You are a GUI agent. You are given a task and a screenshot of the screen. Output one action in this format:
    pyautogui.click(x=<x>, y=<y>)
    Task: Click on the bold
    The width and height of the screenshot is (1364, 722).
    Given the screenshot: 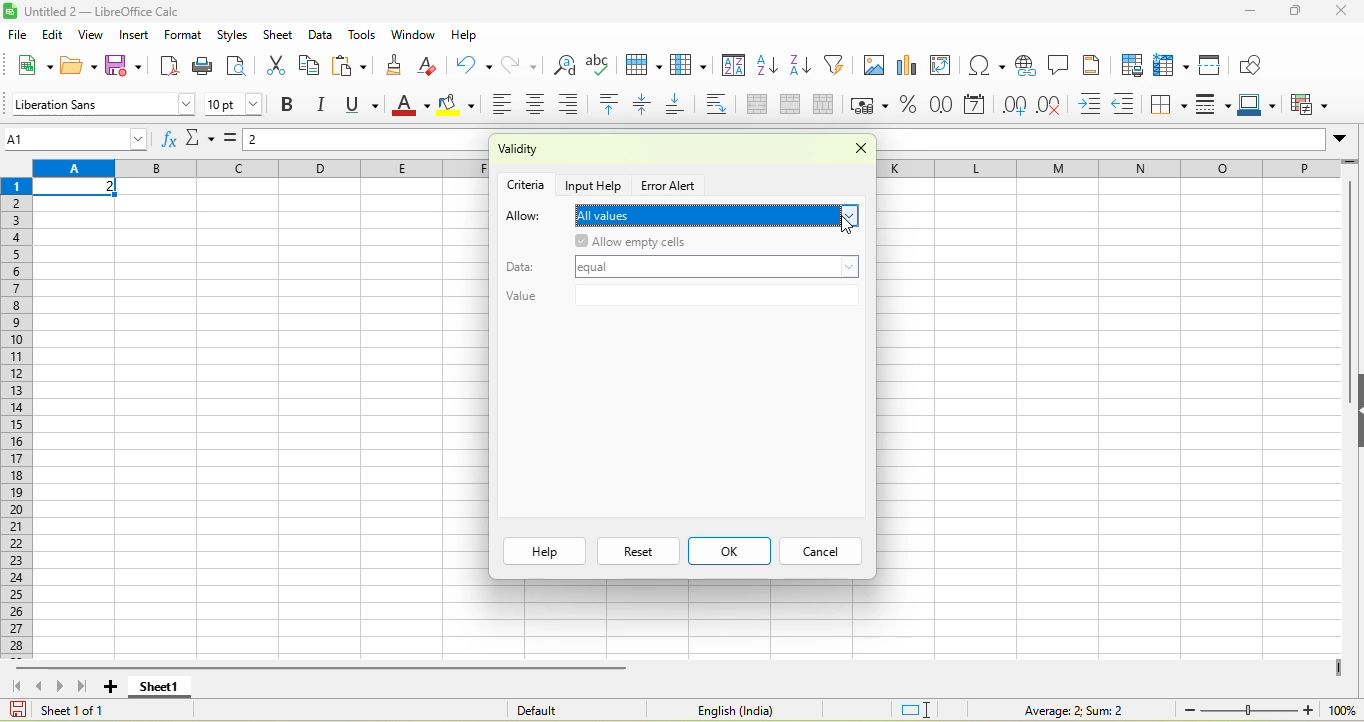 What is the action you would take?
    pyautogui.click(x=289, y=106)
    